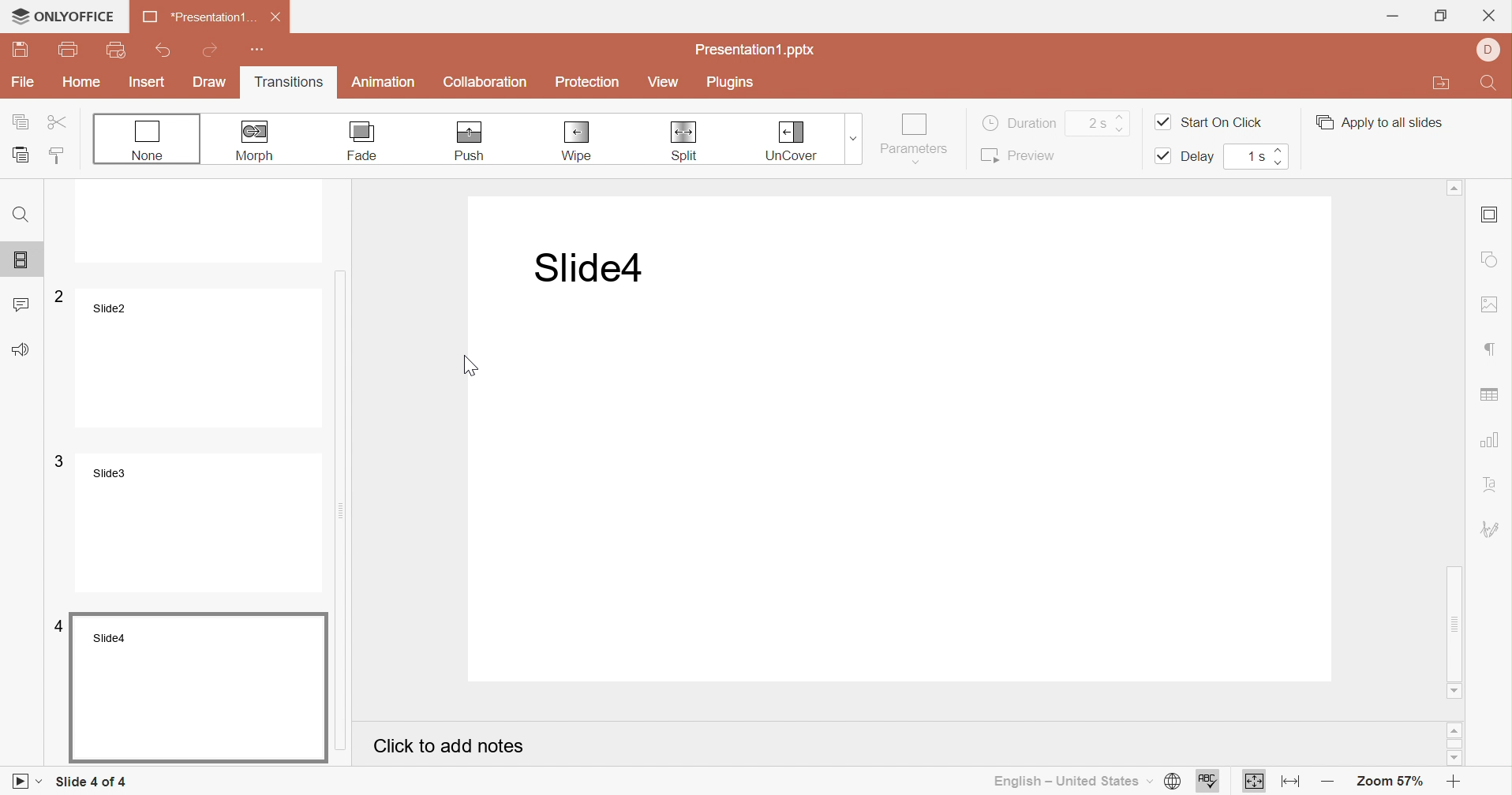 This screenshot has height=795, width=1512. What do you see at coordinates (57, 460) in the screenshot?
I see `3` at bounding box center [57, 460].